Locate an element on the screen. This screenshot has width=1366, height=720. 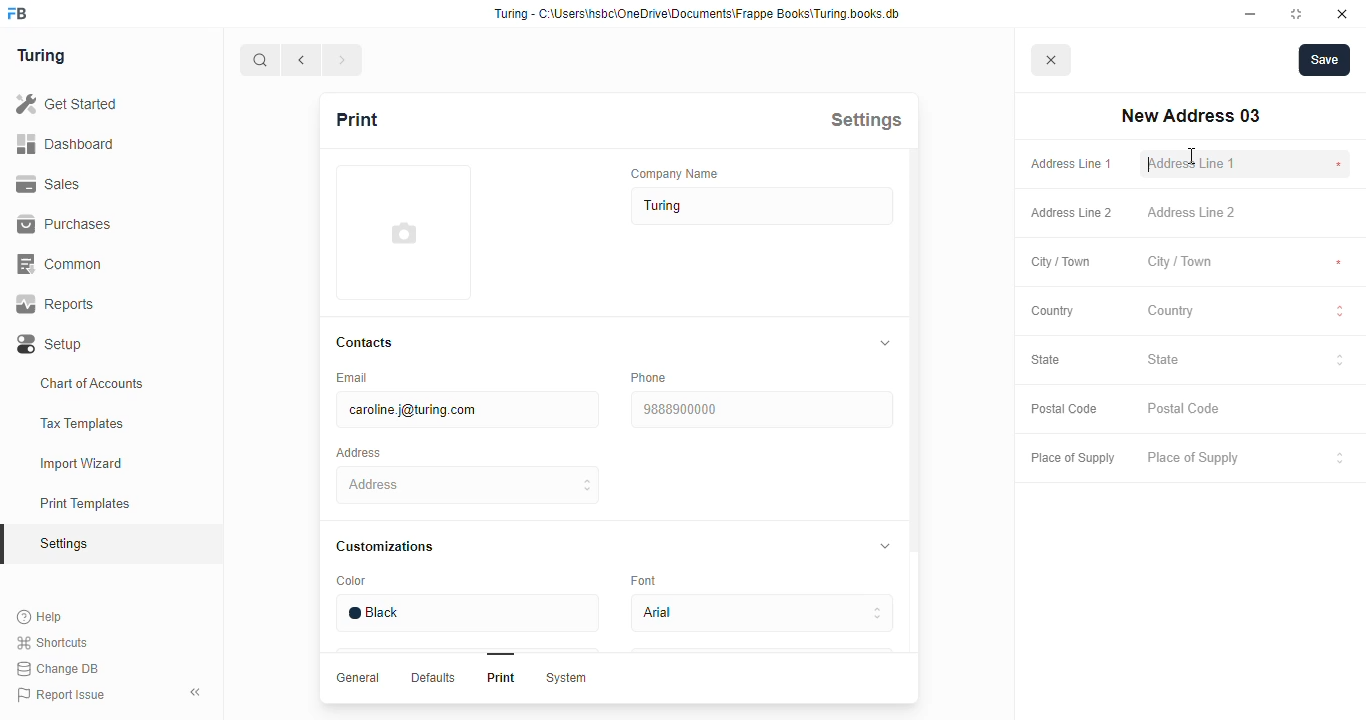
scroll bar is located at coordinates (913, 426).